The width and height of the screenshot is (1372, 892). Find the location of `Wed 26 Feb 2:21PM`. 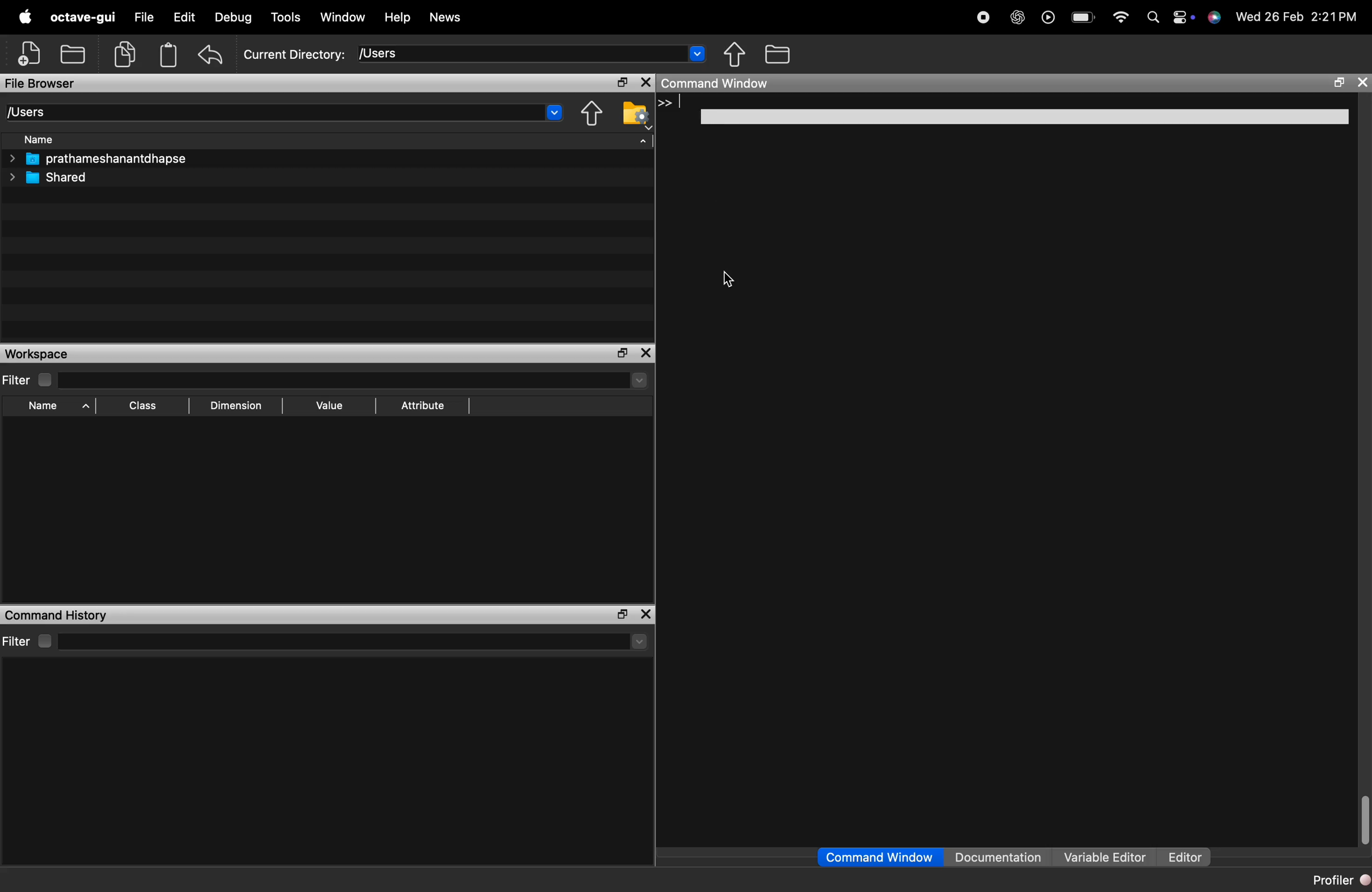

Wed 26 Feb 2:21PM is located at coordinates (1298, 14).